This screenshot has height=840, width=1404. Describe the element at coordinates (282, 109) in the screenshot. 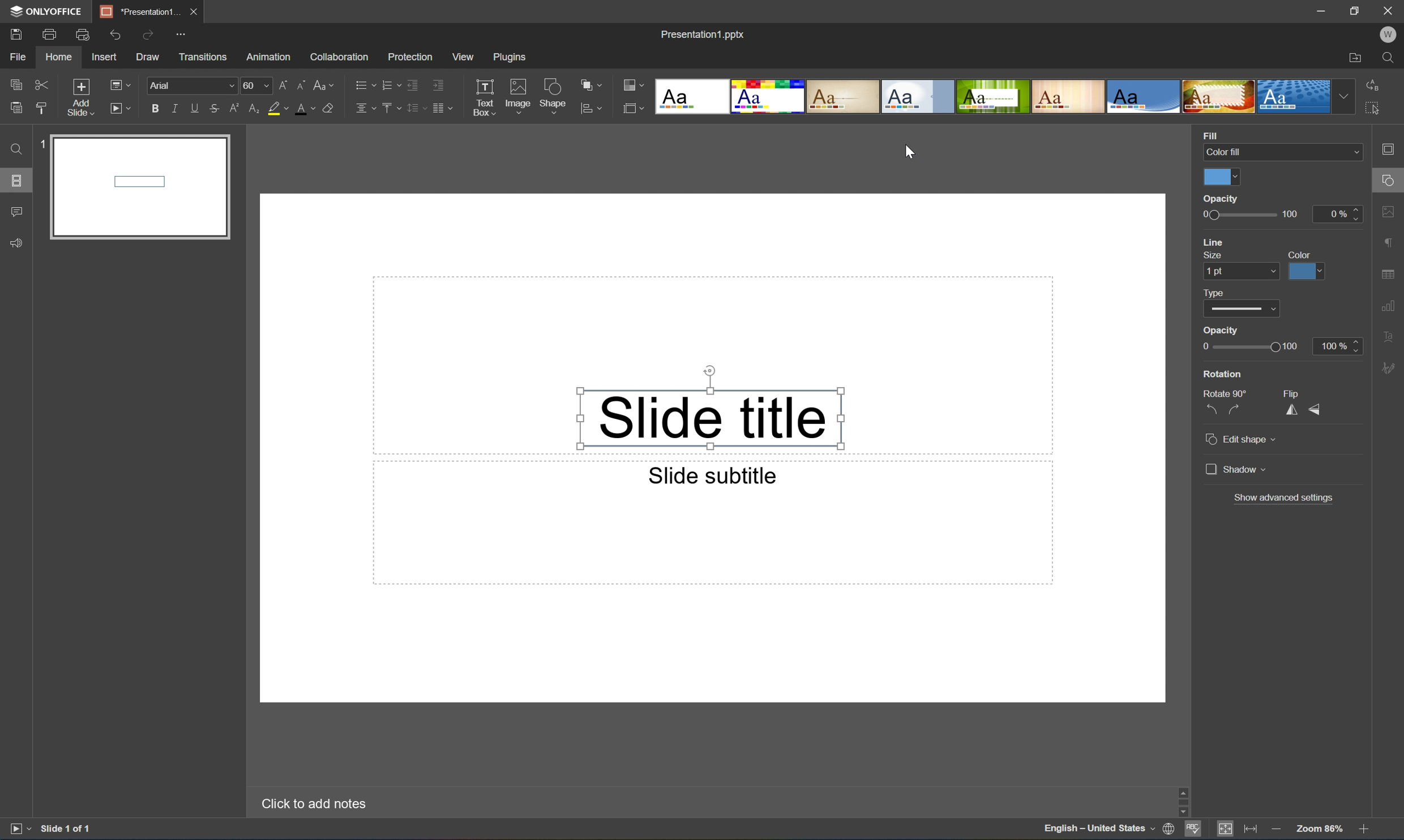

I see `Highlight color` at that location.